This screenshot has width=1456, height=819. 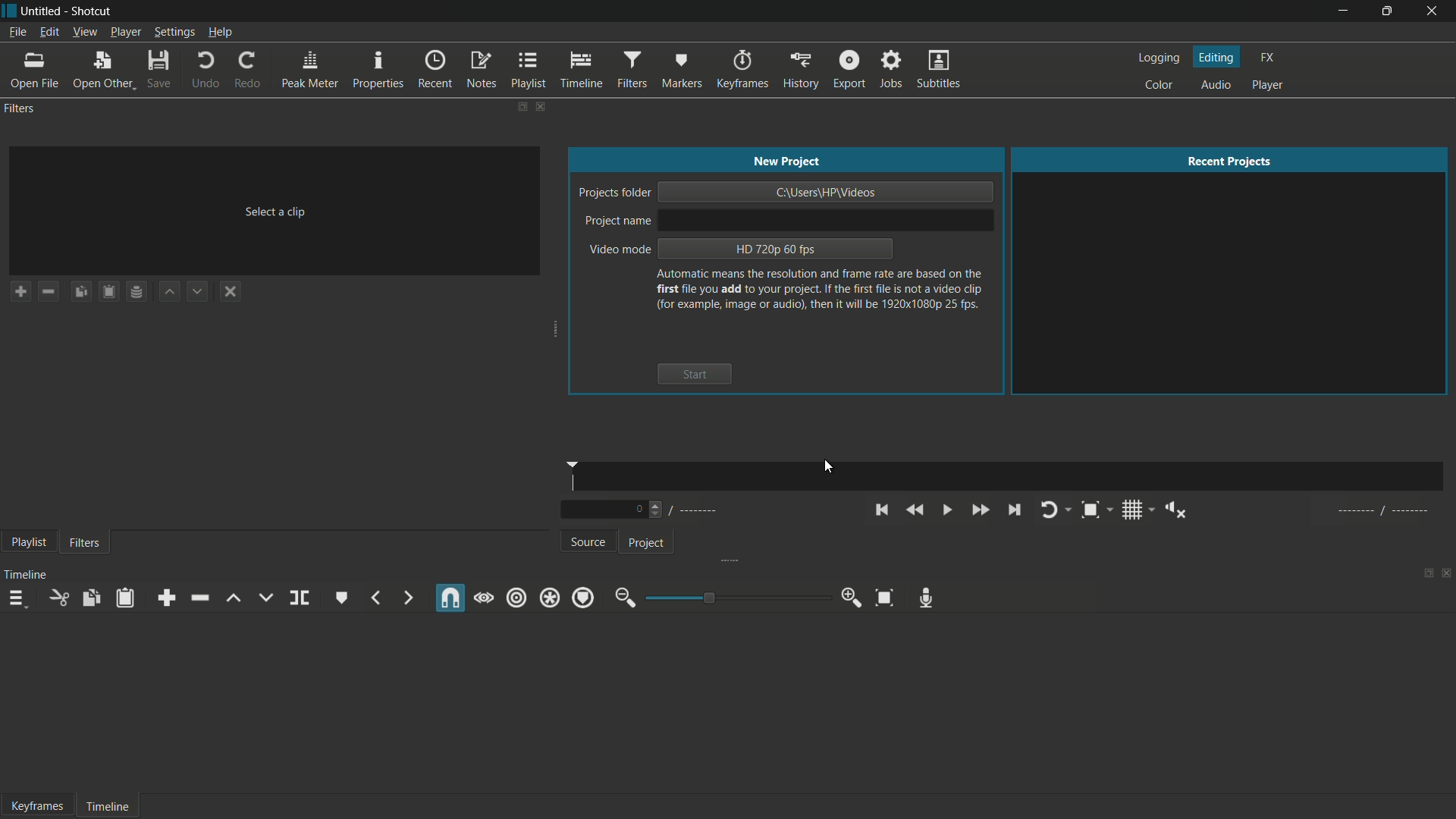 I want to click on ripple all tracks, so click(x=548, y=598).